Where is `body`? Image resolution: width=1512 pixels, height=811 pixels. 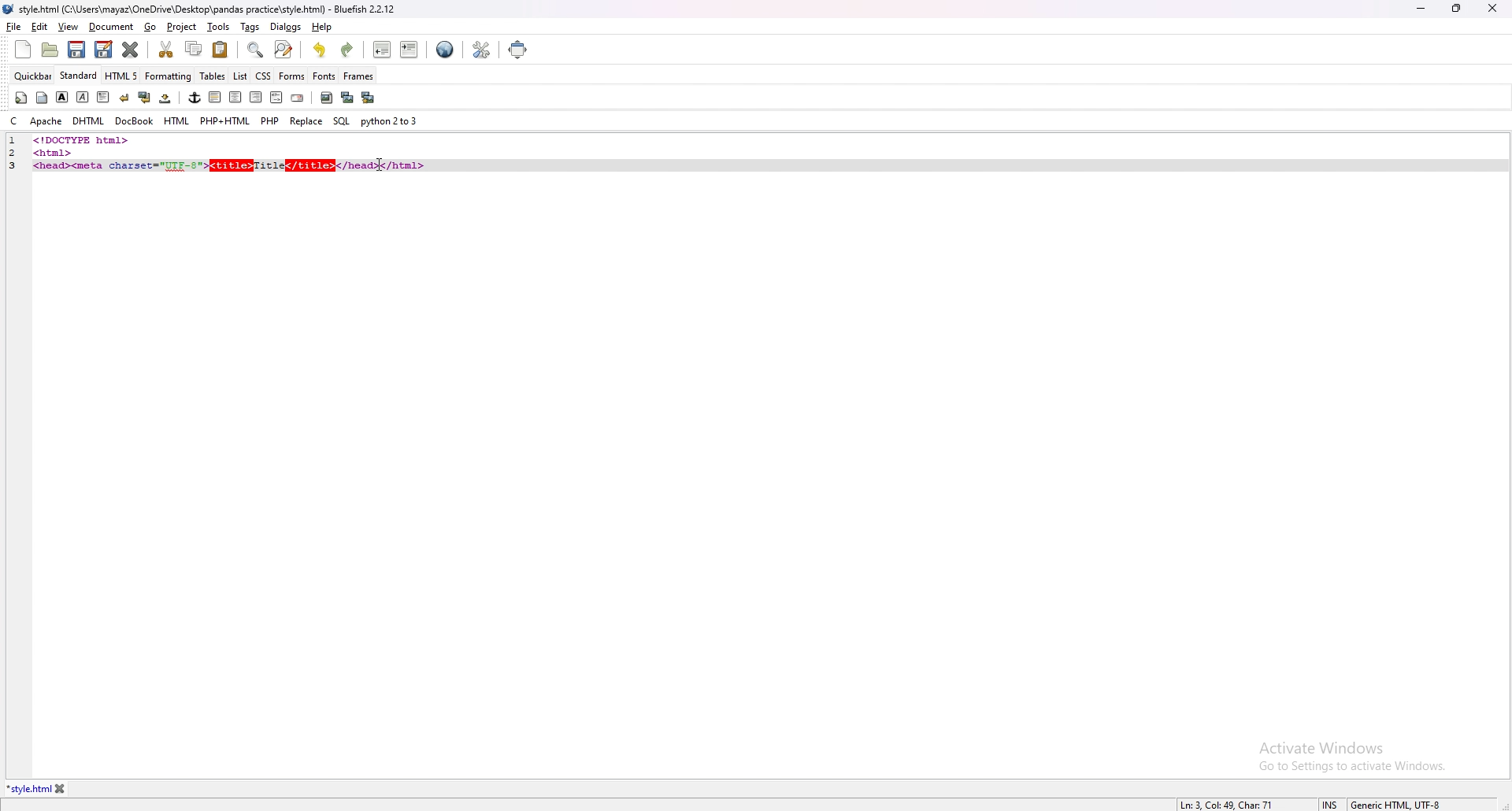
body is located at coordinates (43, 96).